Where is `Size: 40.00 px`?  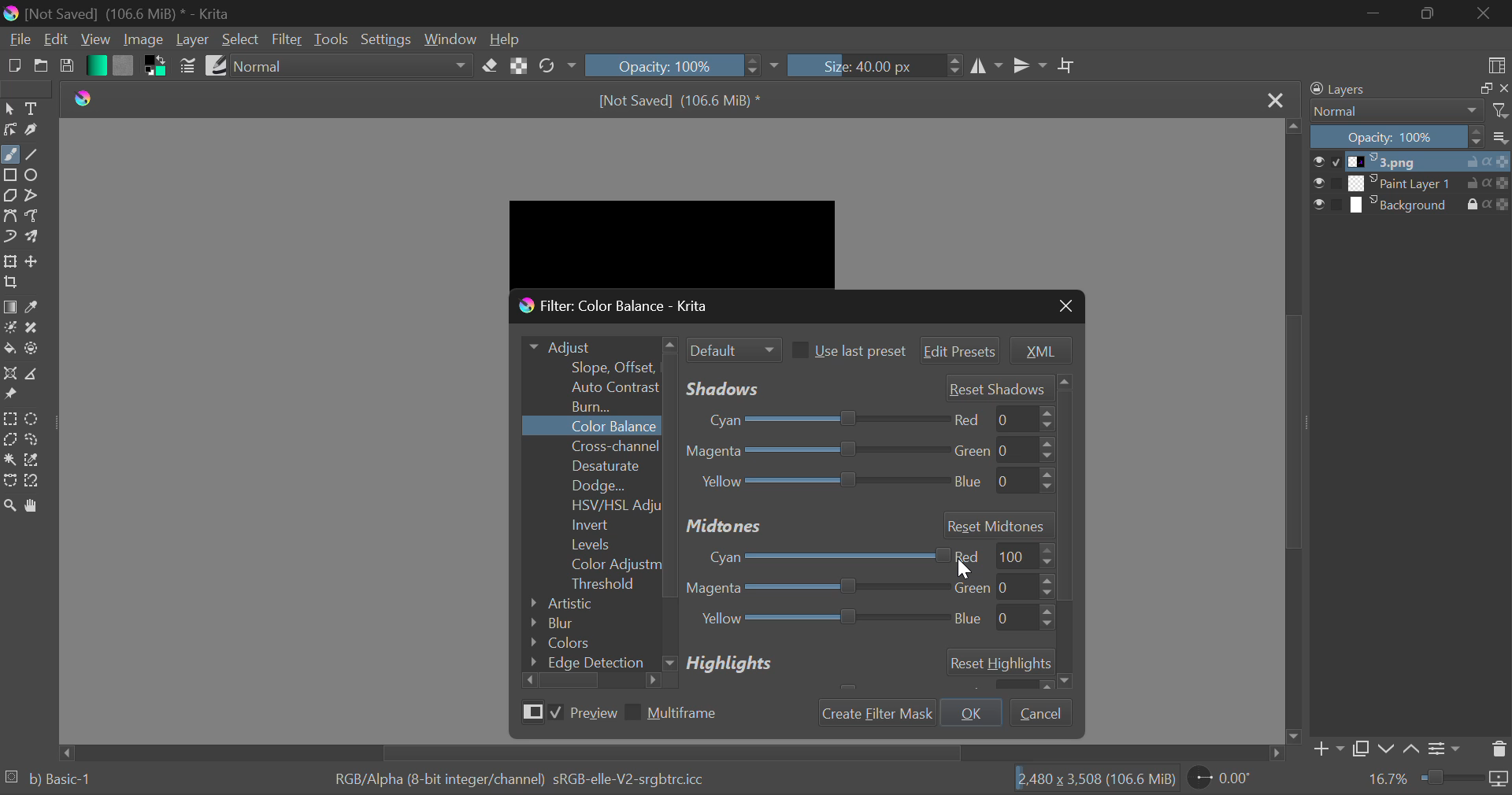 Size: 40.00 px is located at coordinates (876, 66).